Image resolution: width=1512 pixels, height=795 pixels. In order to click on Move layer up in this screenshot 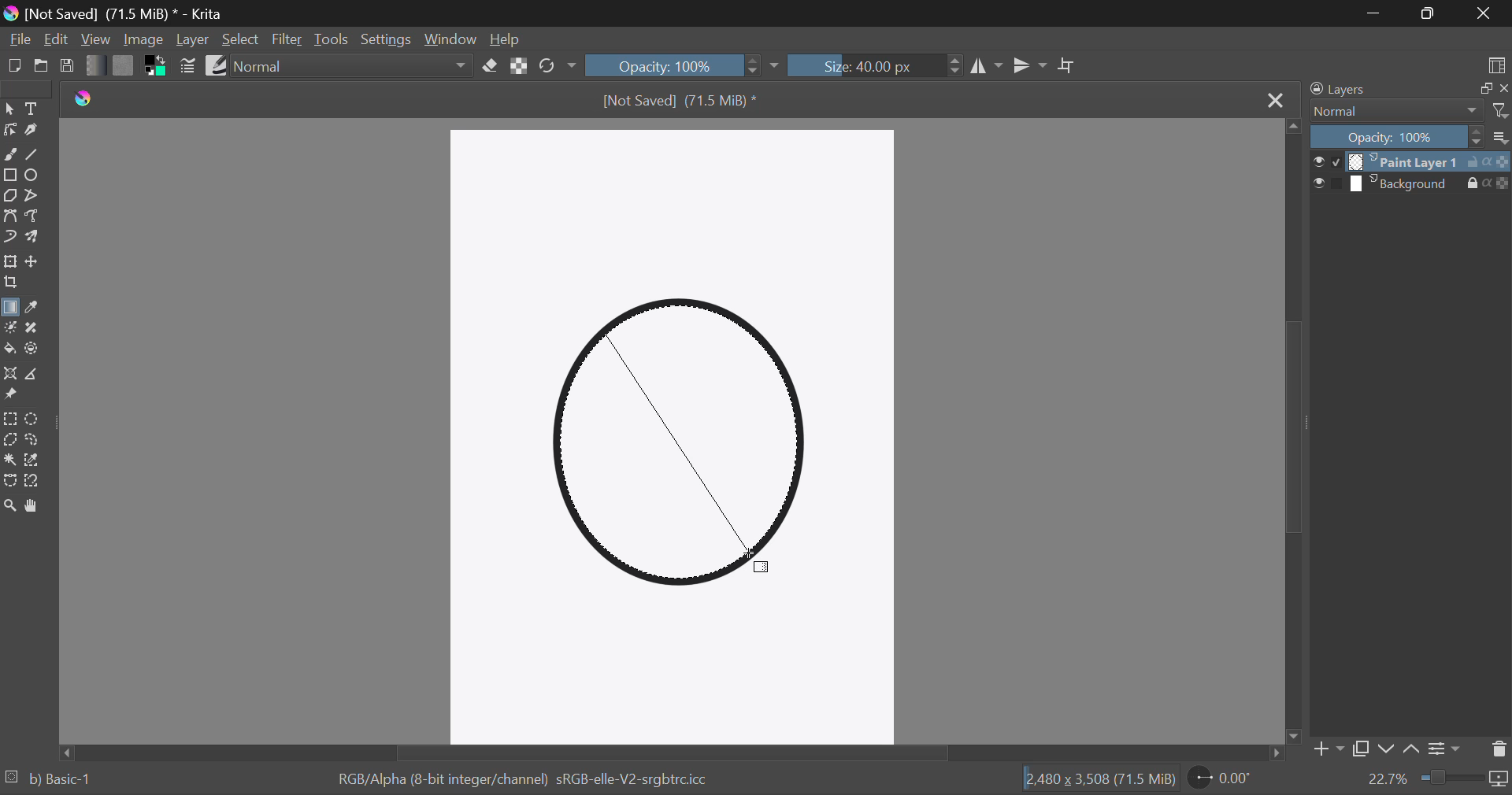, I will do `click(1410, 749)`.